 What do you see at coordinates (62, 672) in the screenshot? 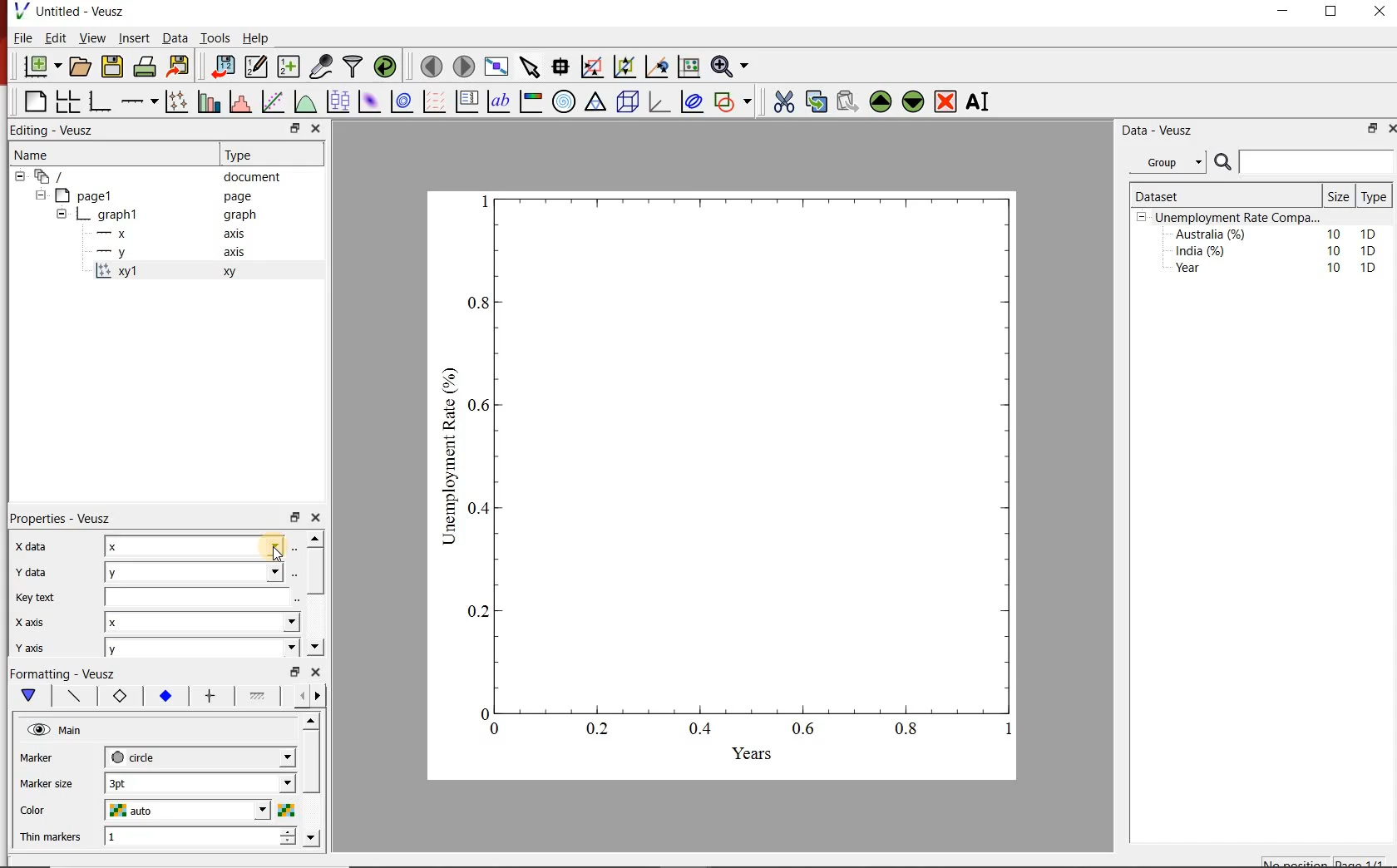
I see `Formatting - Veusz` at bounding box center [62, 672].